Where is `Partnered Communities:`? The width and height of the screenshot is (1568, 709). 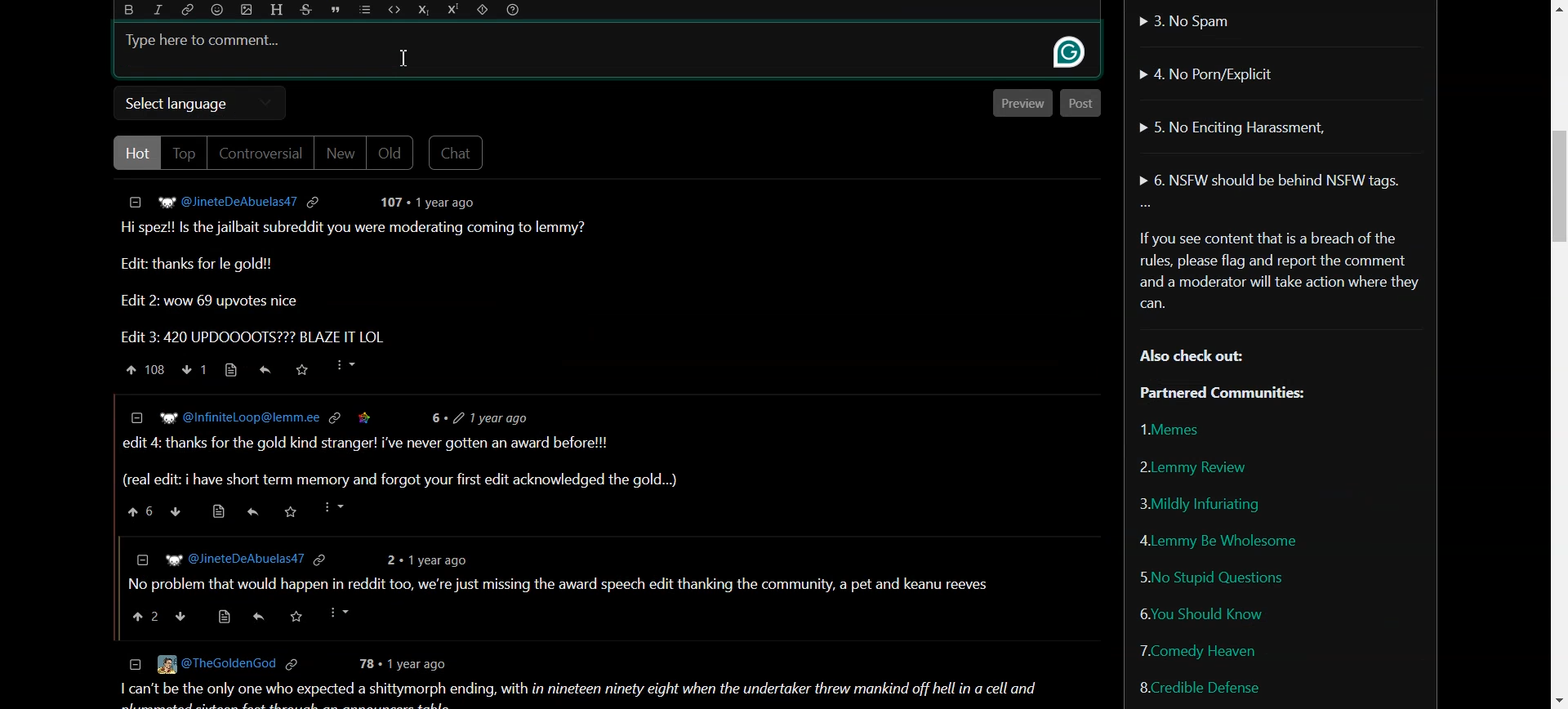 Partnered Communities: is located at coordinates (1242, 393).